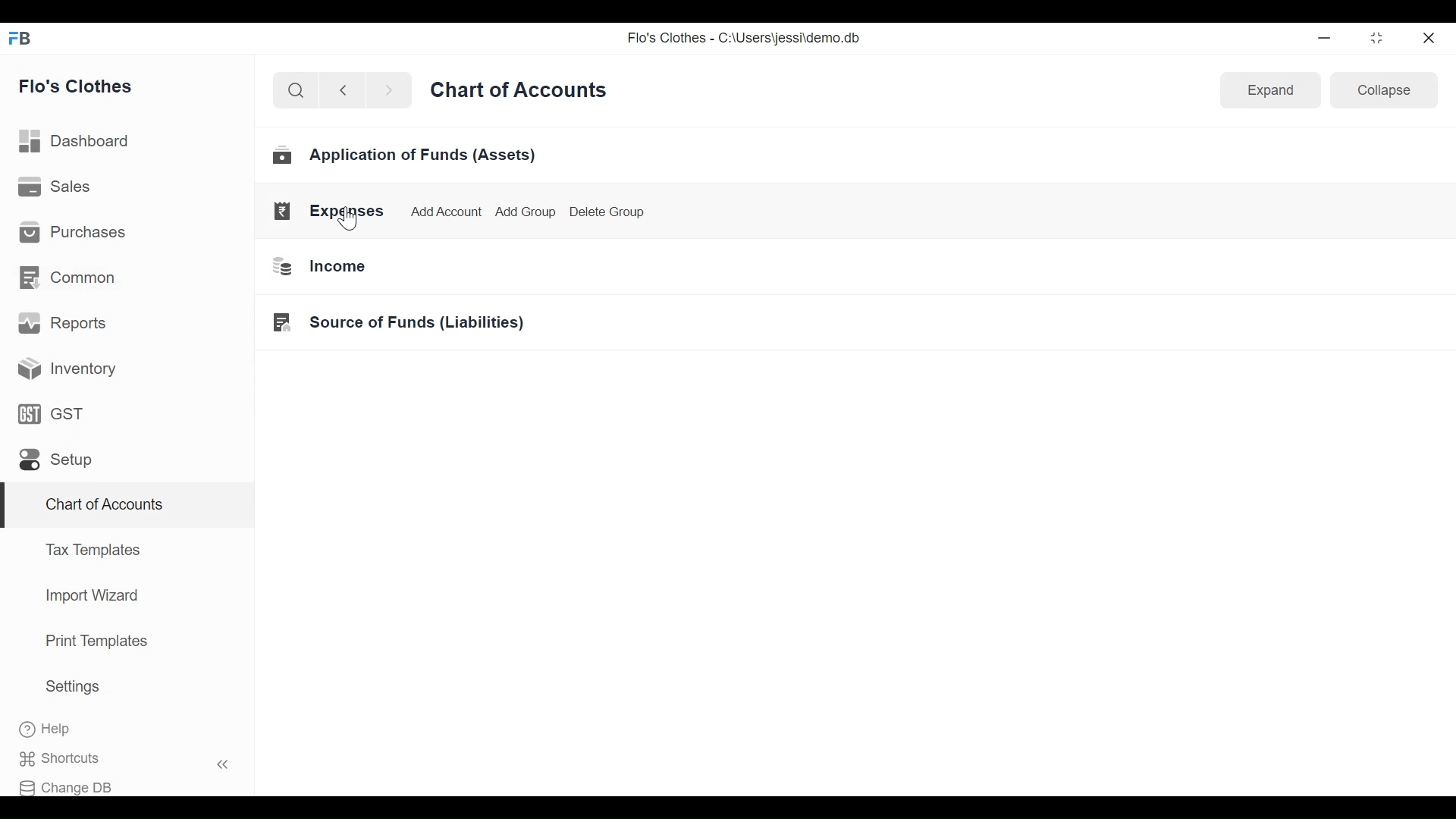  What do you see at coordinates (318, 268) in the screenshot?
I see `Income` at bounding box center [318, 268].